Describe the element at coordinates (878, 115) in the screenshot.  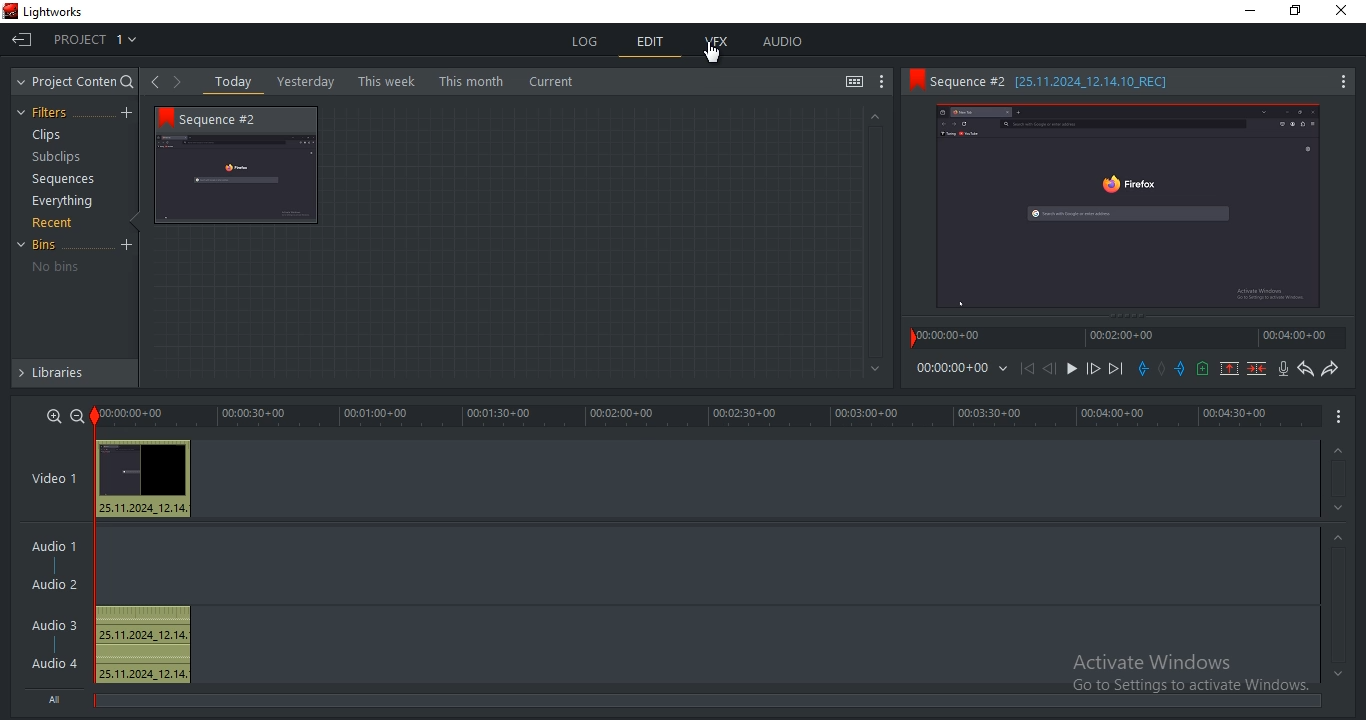
I see `greyed out up arrow` at that location.